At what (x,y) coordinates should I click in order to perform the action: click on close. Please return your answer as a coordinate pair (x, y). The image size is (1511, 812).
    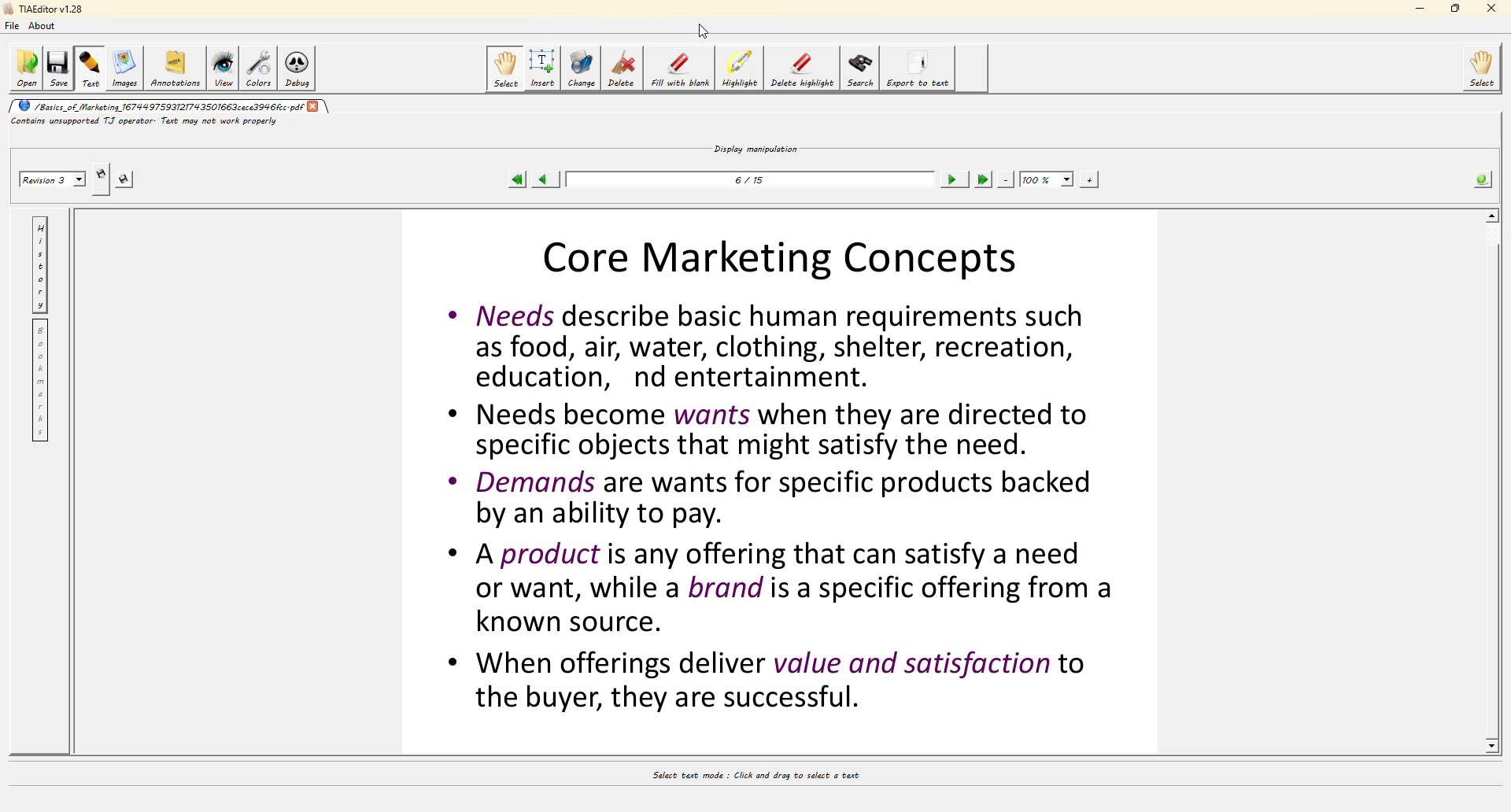
    Looking at the image, I should click on (1493, 7).